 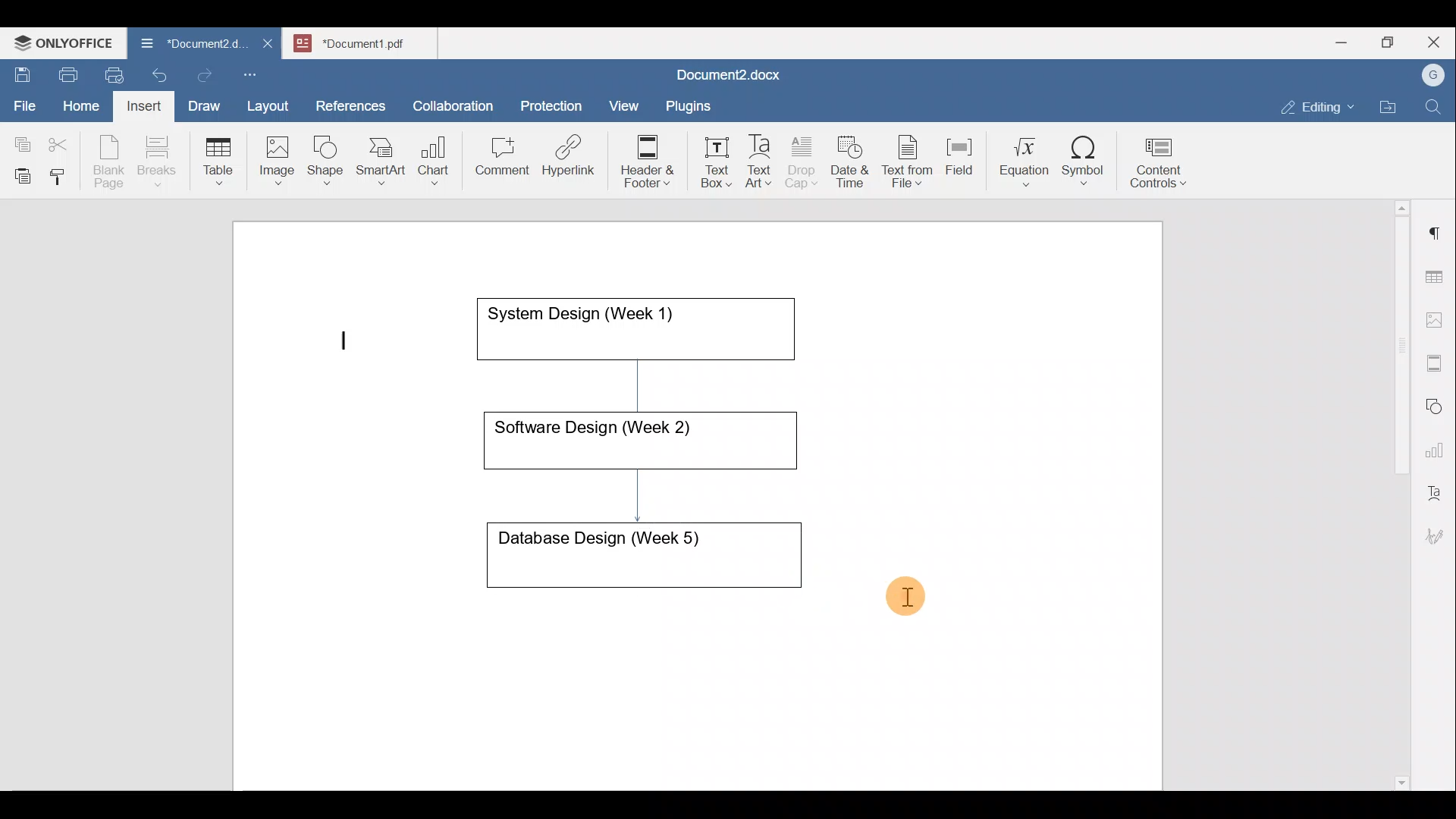 I want to click on Document name, so click(x=725, y=77).